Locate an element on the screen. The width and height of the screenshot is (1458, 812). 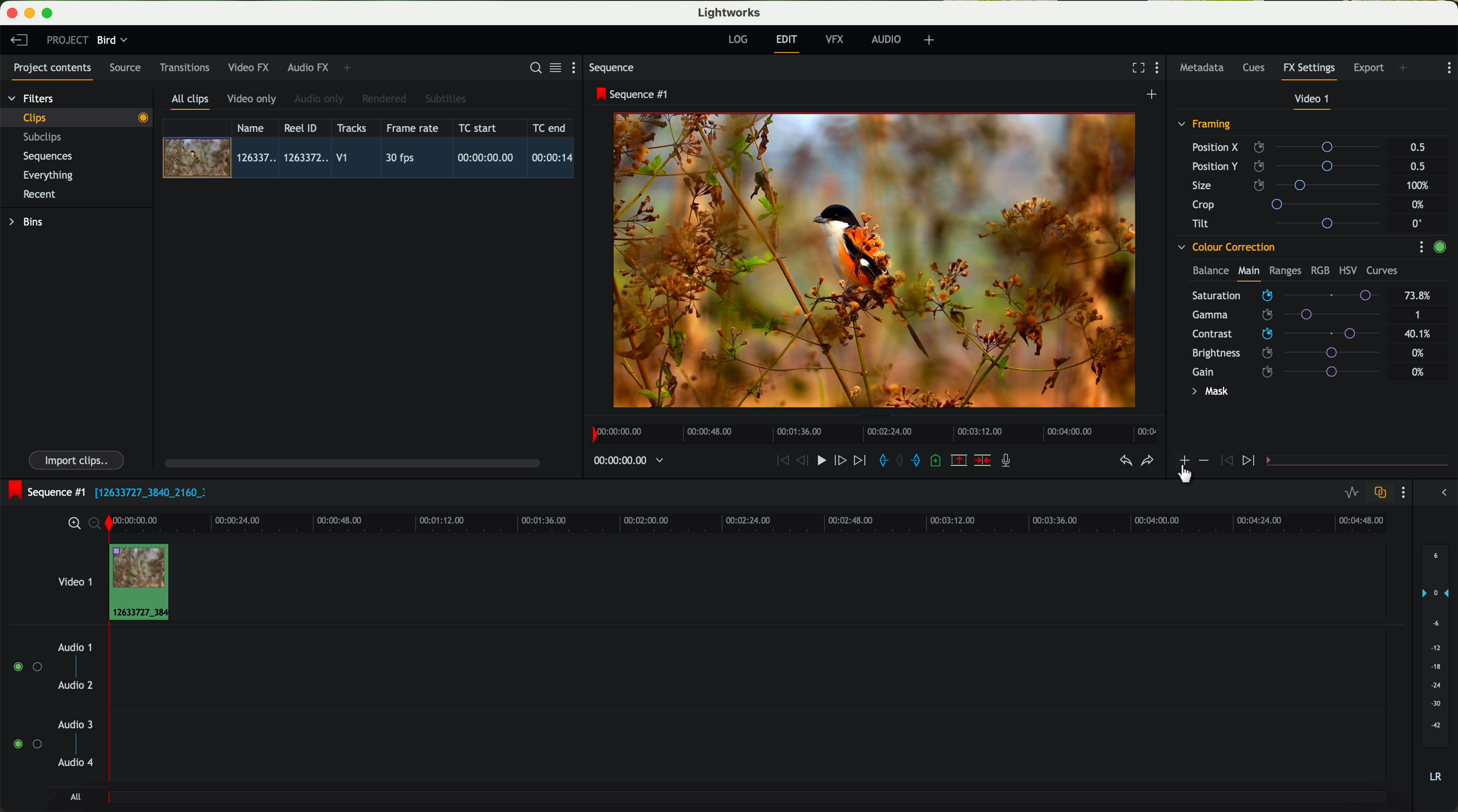
audio 3 is located at coordinates (70, 724).